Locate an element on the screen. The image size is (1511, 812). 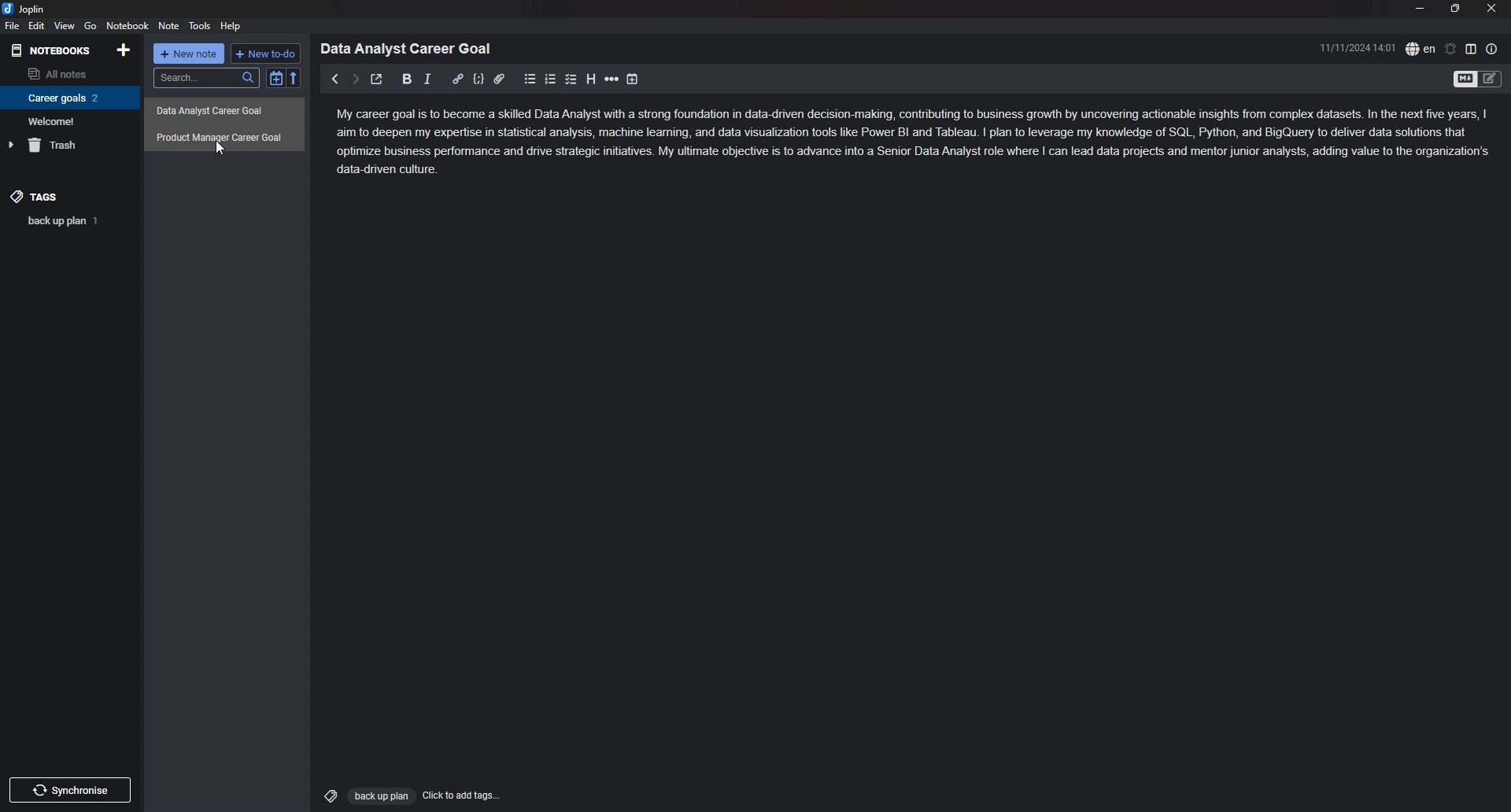
reverse sort order is located at coordinates (294, 77).